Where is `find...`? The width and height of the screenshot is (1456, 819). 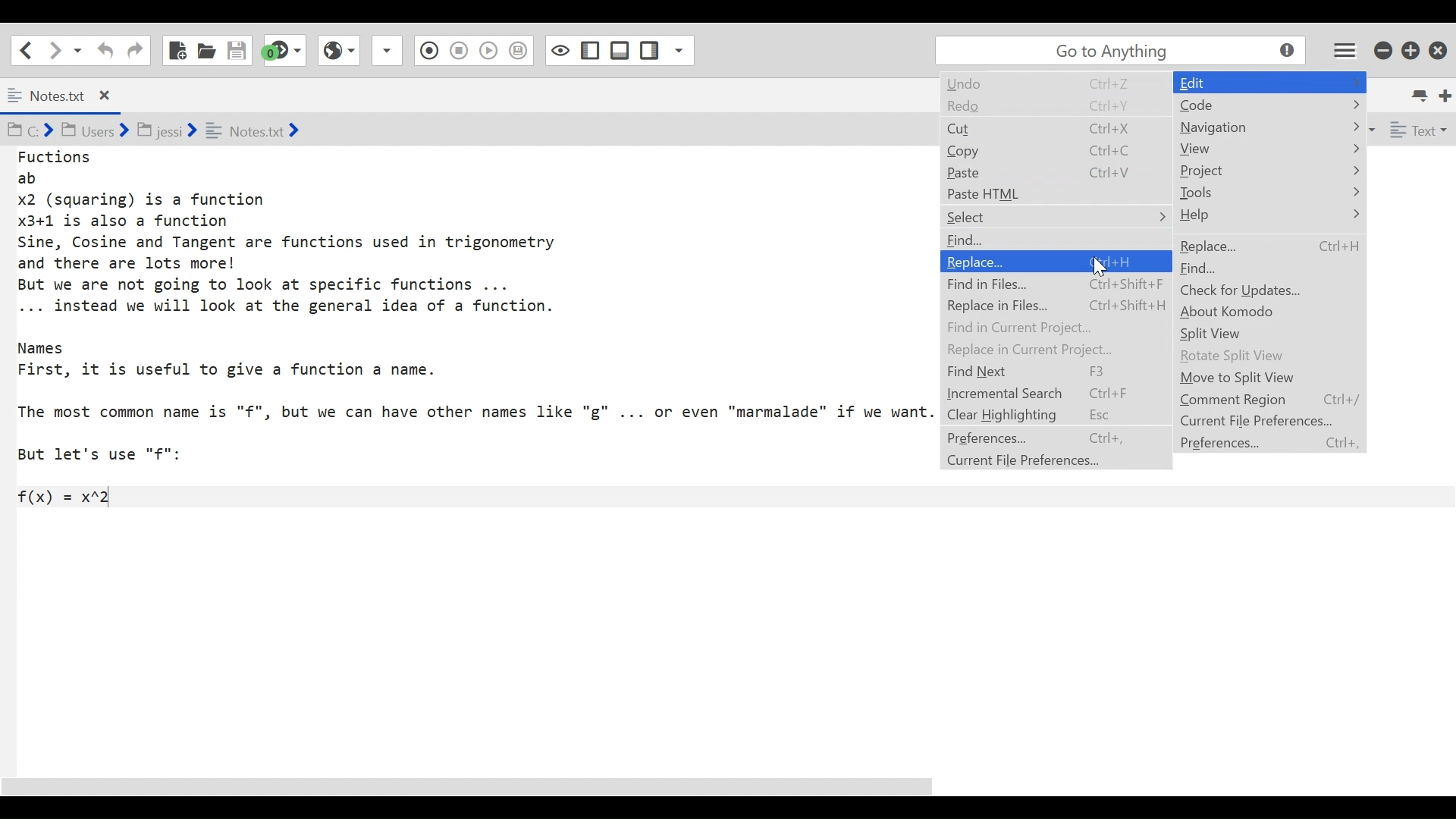 find... is located at coordinates (1213, 268).